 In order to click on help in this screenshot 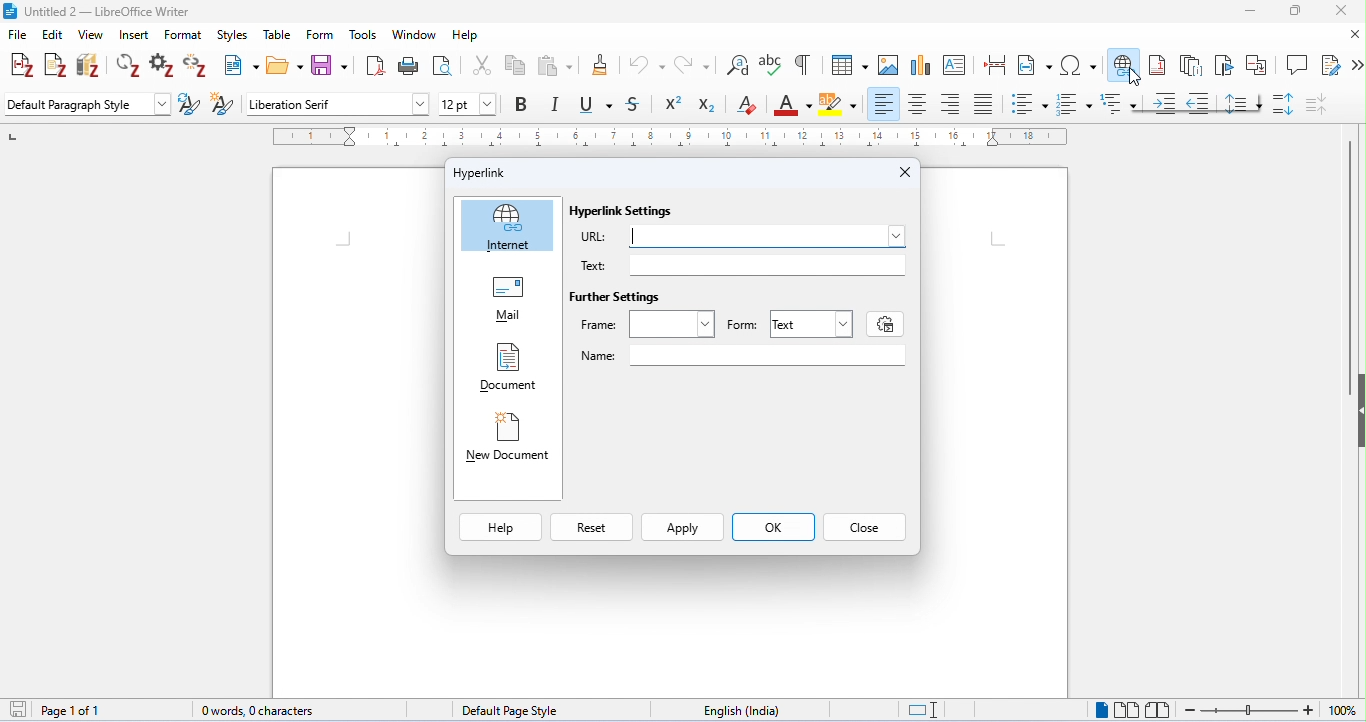, I will do `click(466, 36)`.